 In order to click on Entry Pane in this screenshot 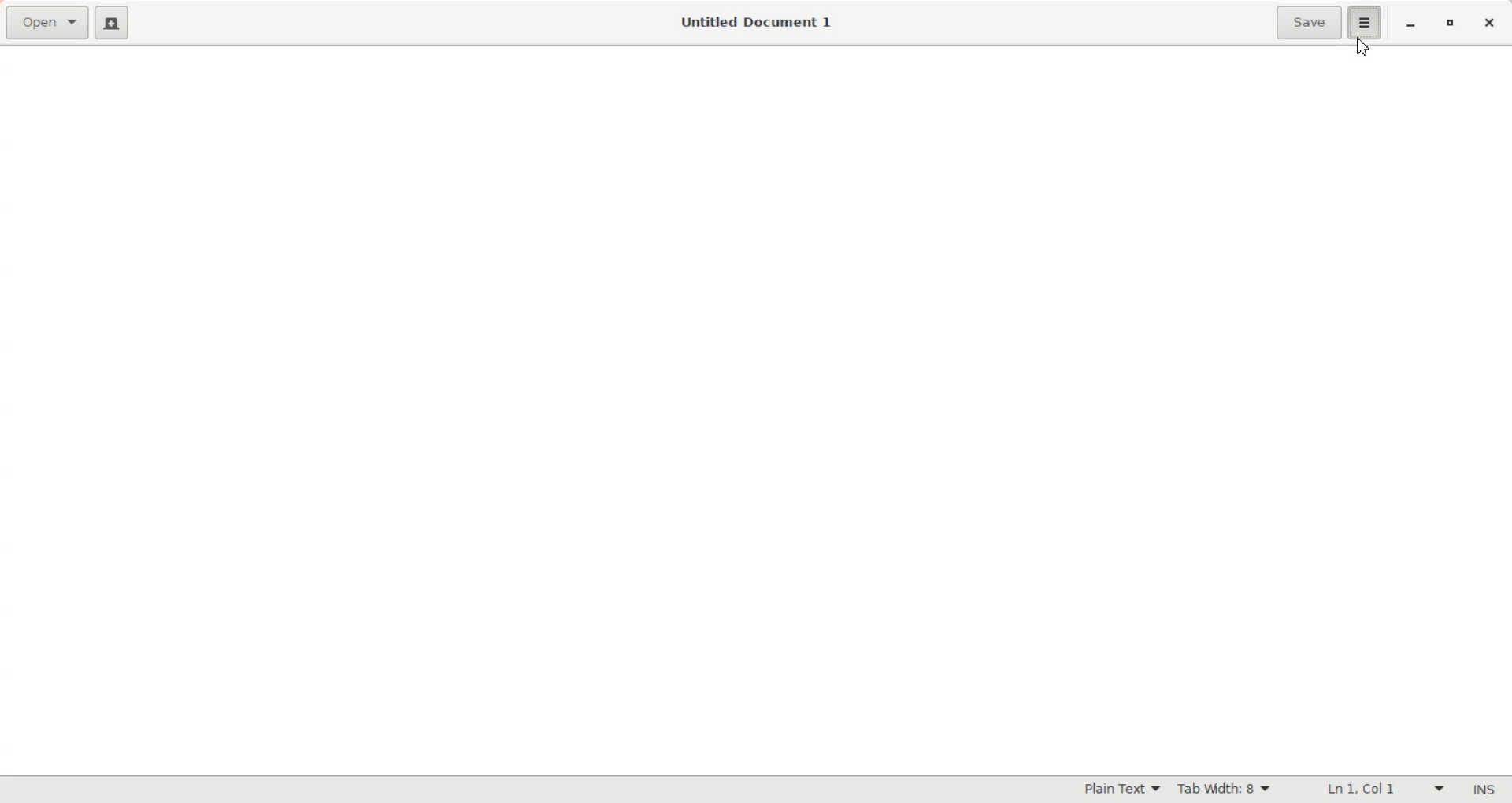, I will do `click(363, 411)`.